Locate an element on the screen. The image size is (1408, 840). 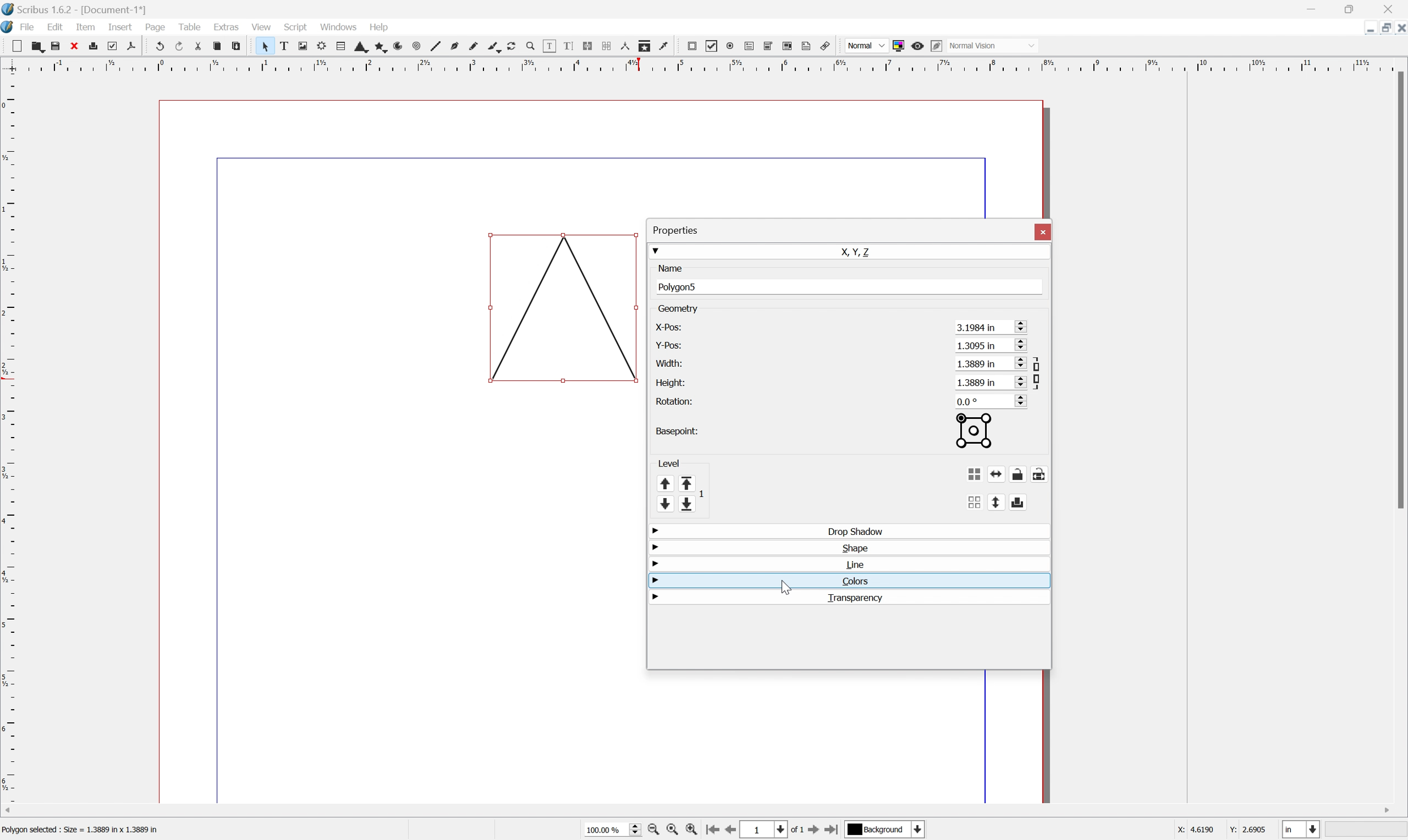
Drop Shadow is located at coordinates (854, 530).